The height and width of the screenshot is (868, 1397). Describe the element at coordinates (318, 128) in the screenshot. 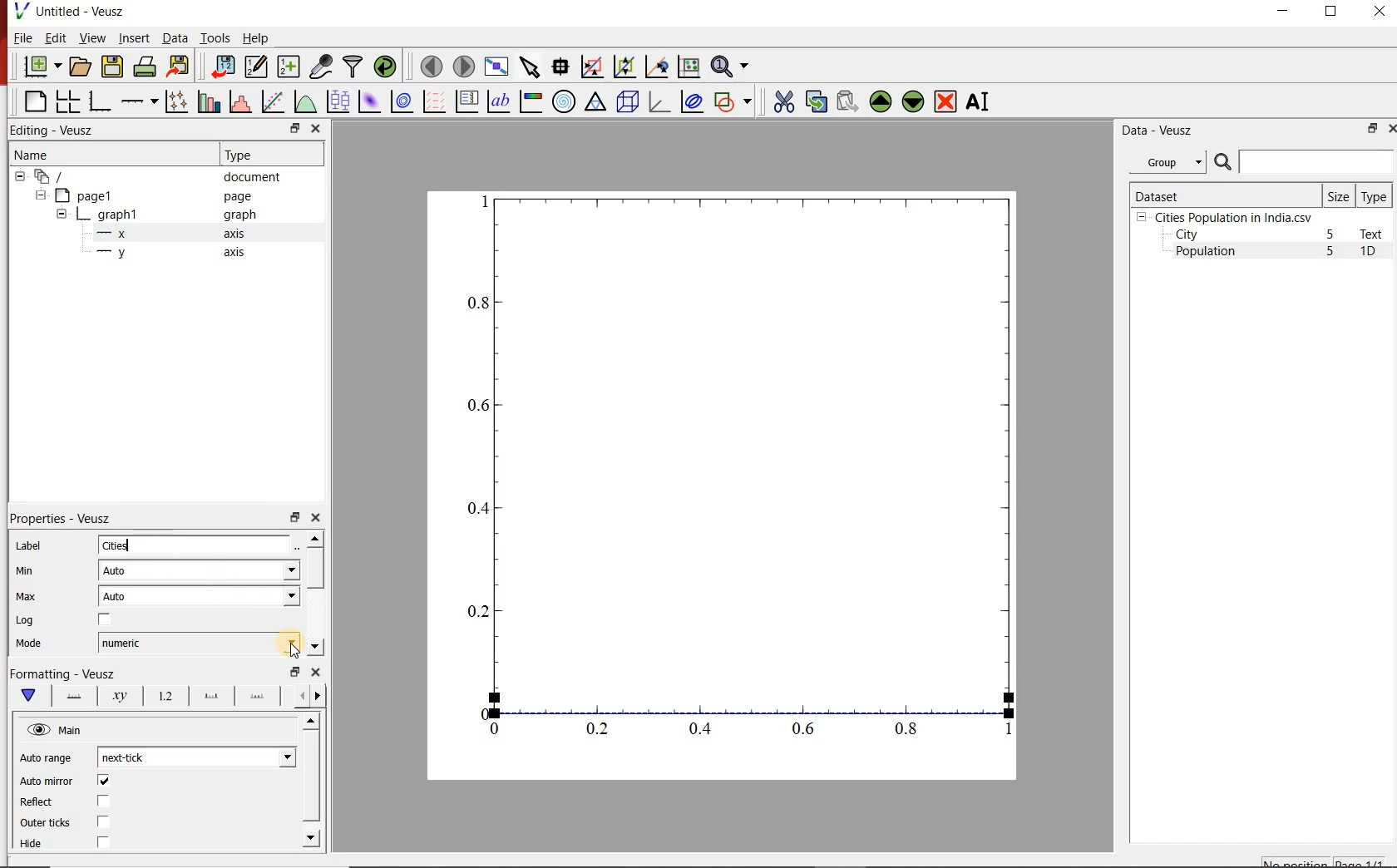

I see `close` at that location.